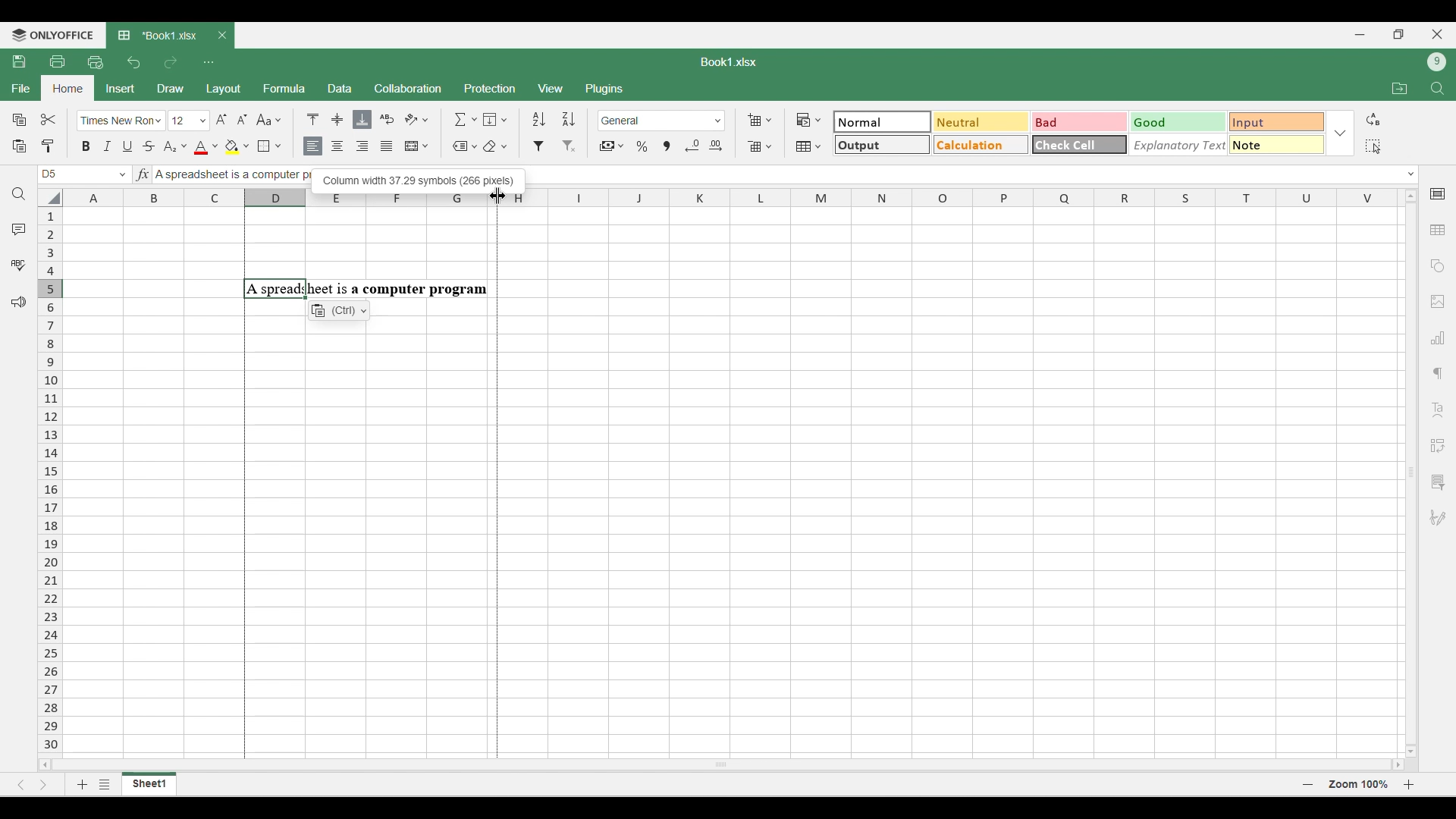  I want to click on Percent style, so click(642, 146).